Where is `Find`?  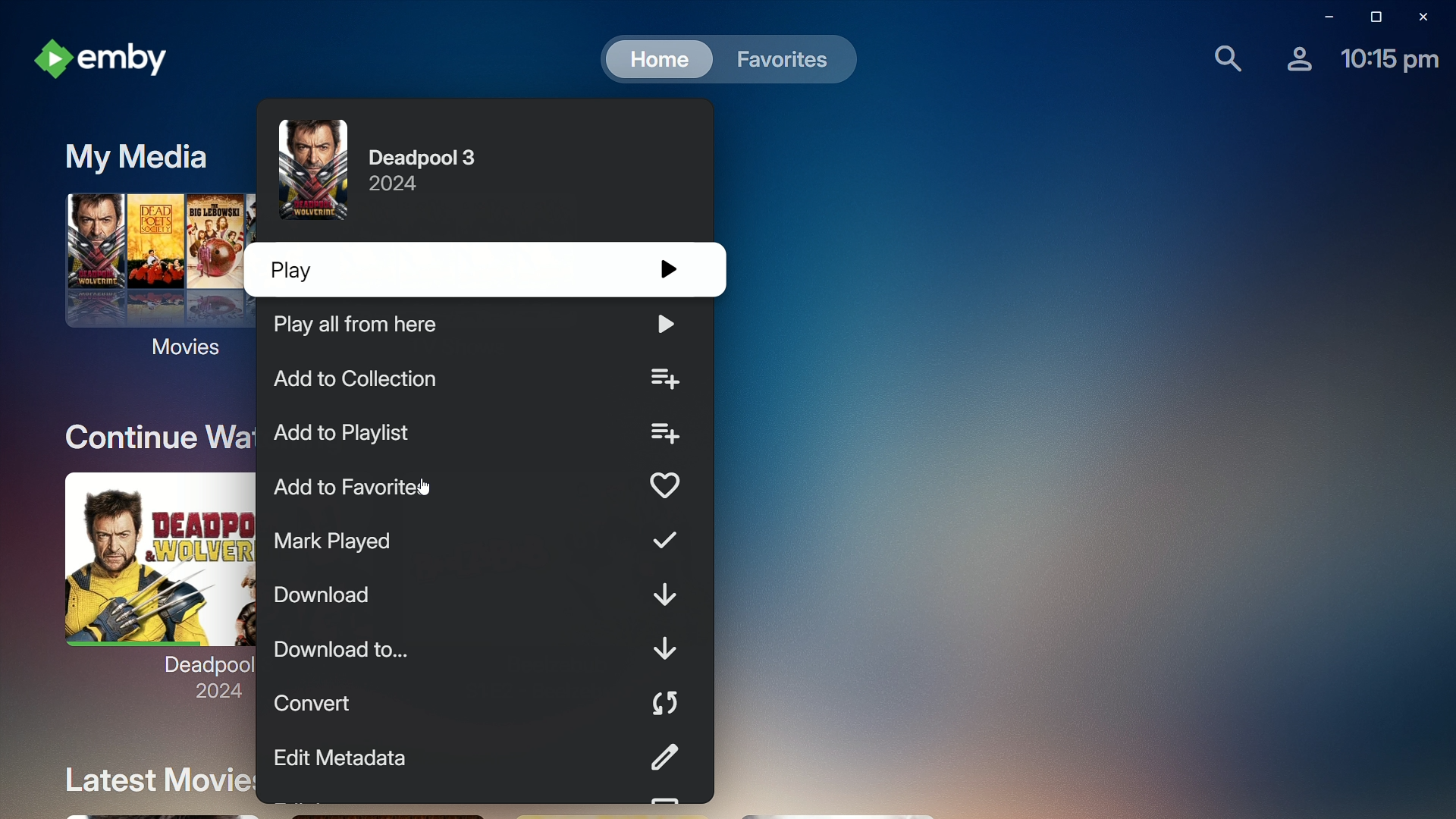
Find is located at coordinates (1222, 61).